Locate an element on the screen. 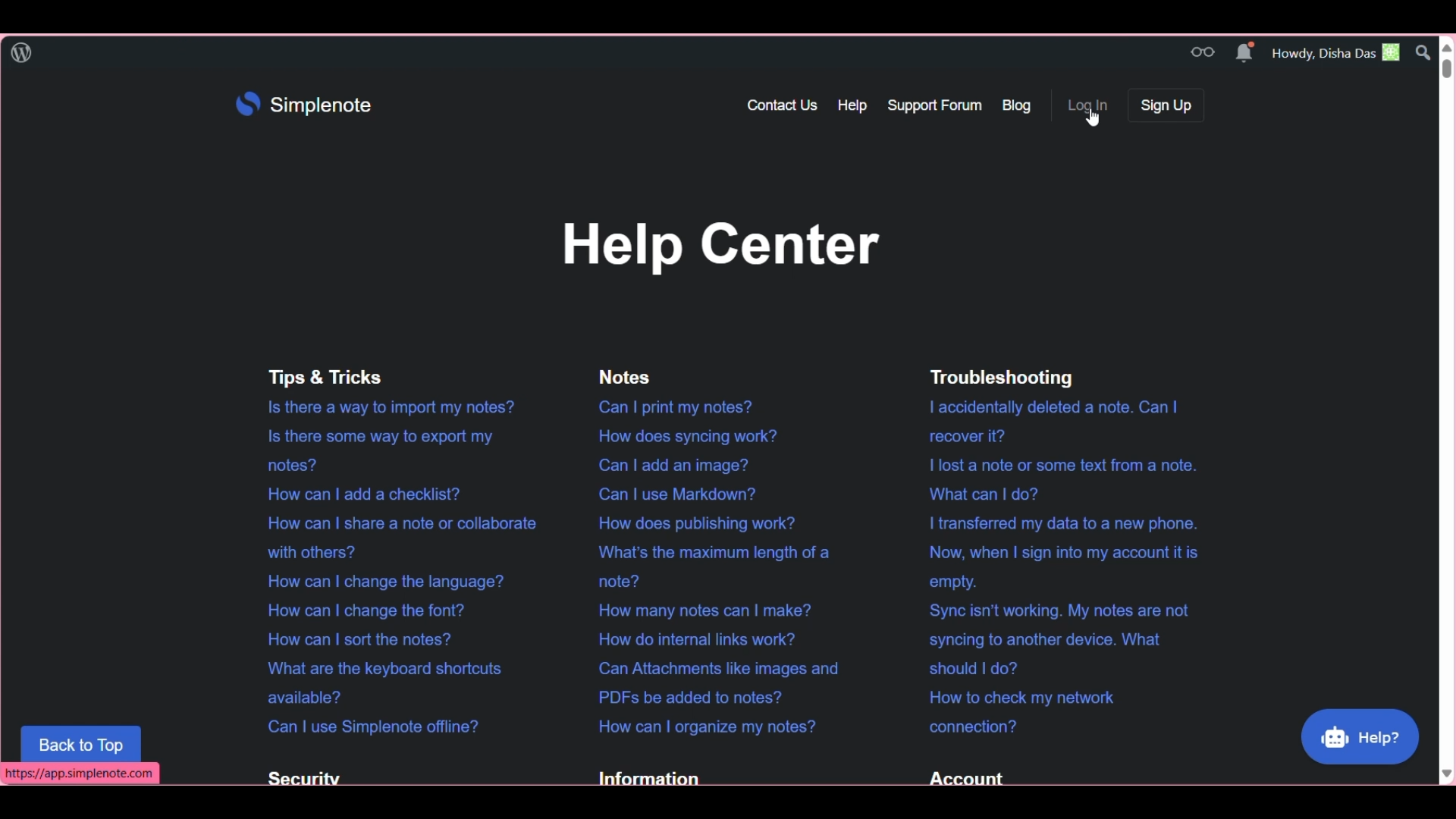 The image size is (1456, 819). | accidentally deleted a note. Can I recover it? is located at coordinates (1052, 421).